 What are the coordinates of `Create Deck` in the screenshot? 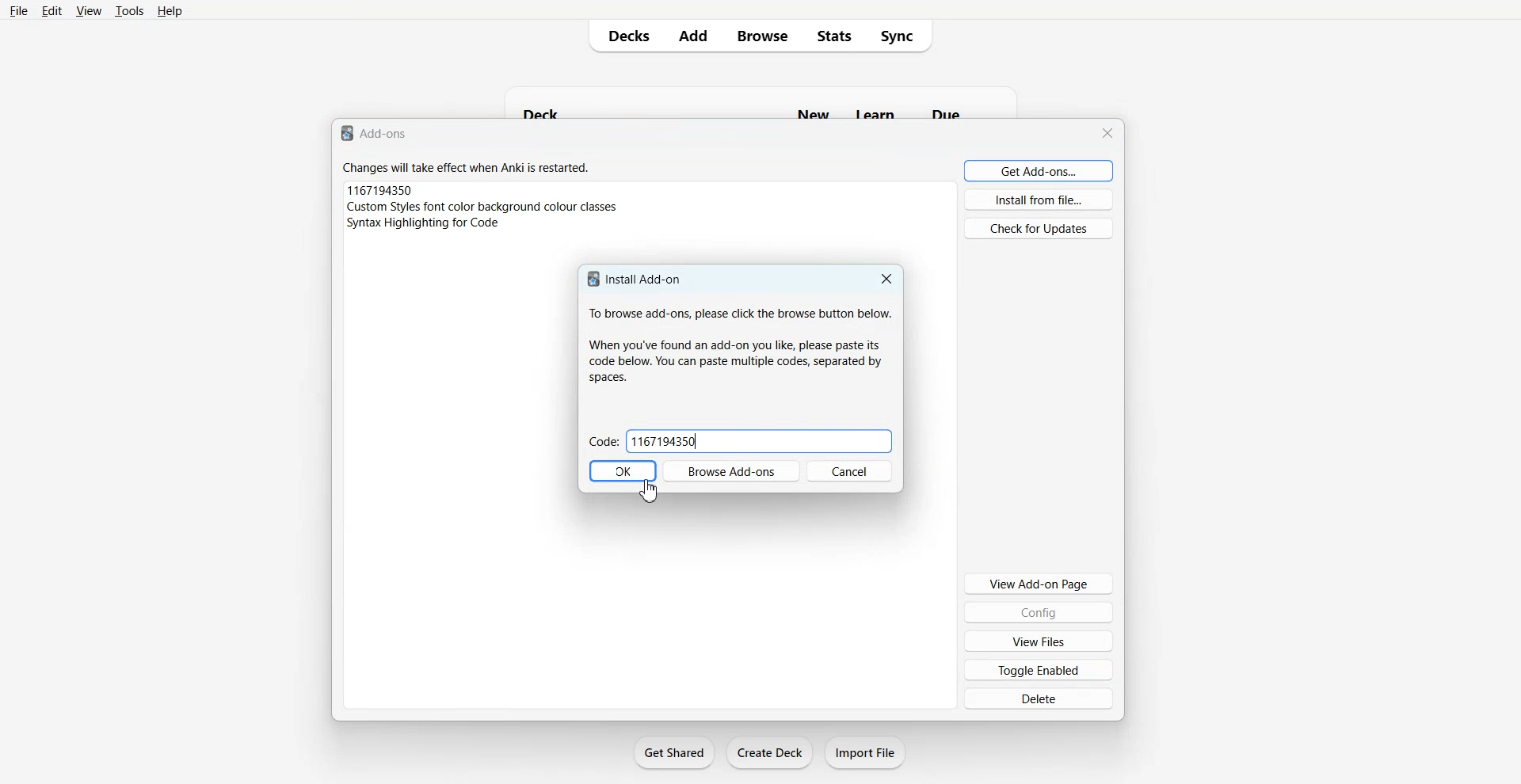 It's located at (769, 752).